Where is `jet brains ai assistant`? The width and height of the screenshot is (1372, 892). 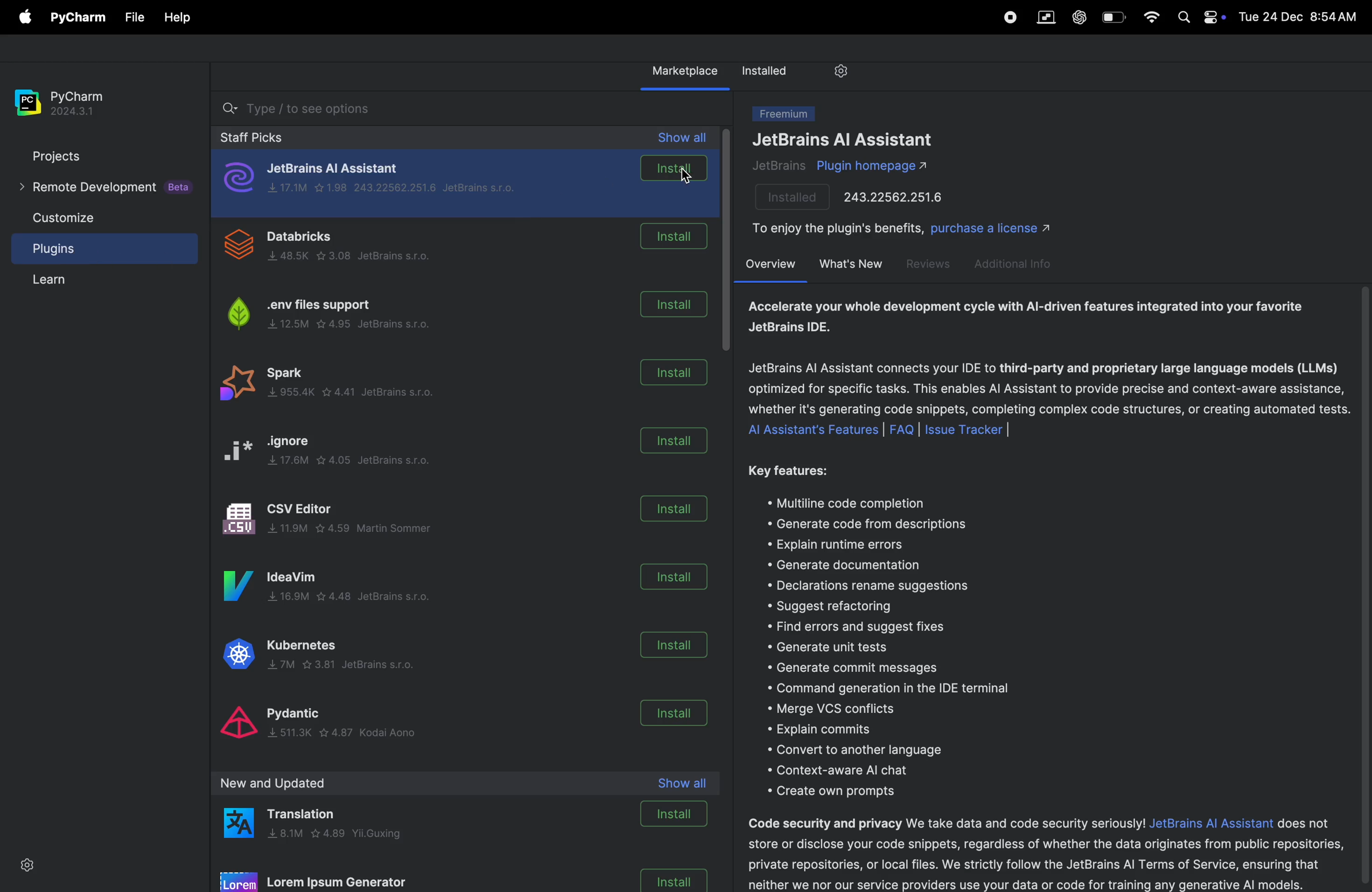
jet brains ai assistant is located at coordinates (883, 138).